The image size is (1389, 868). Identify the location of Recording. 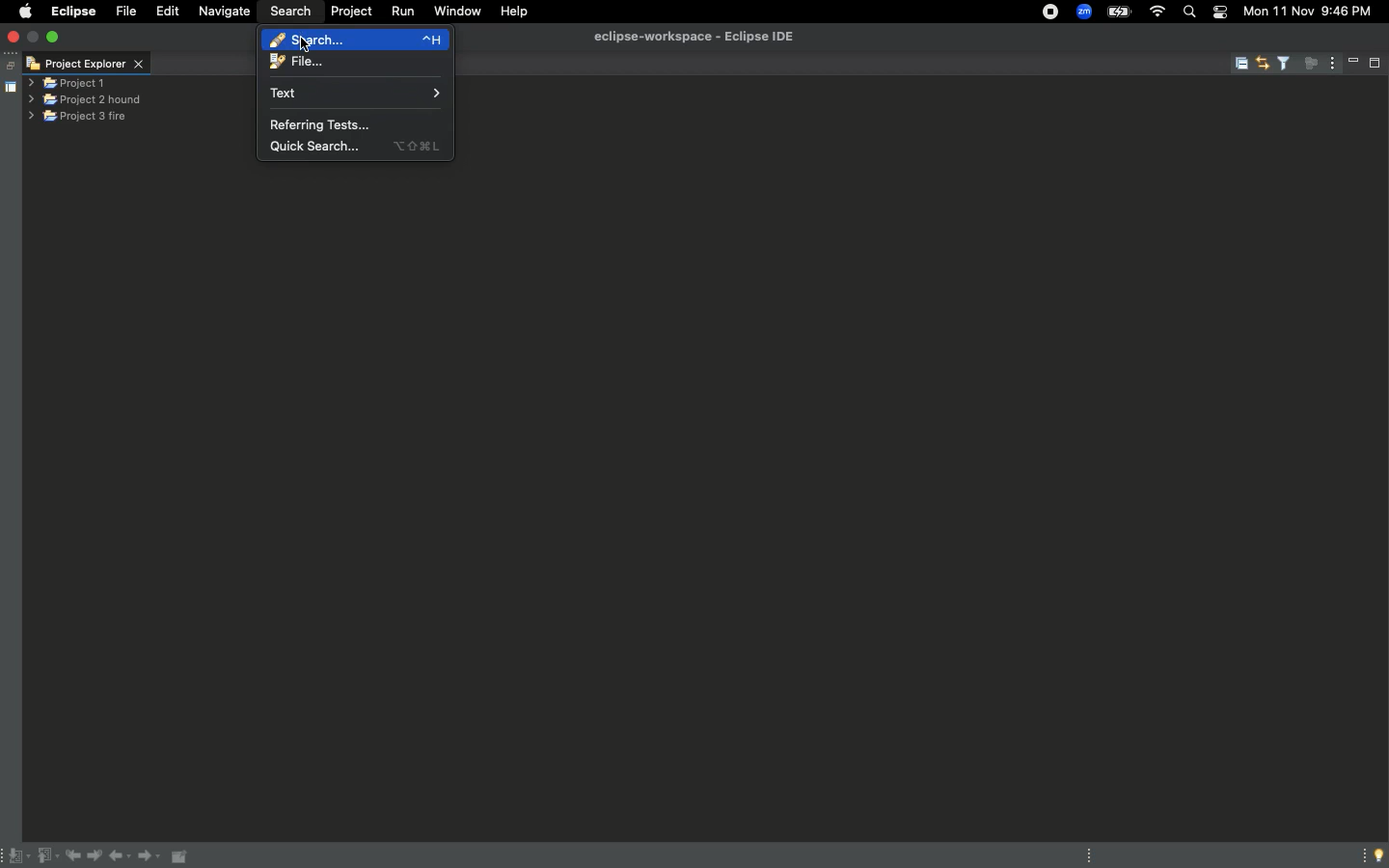
(1049, 14).